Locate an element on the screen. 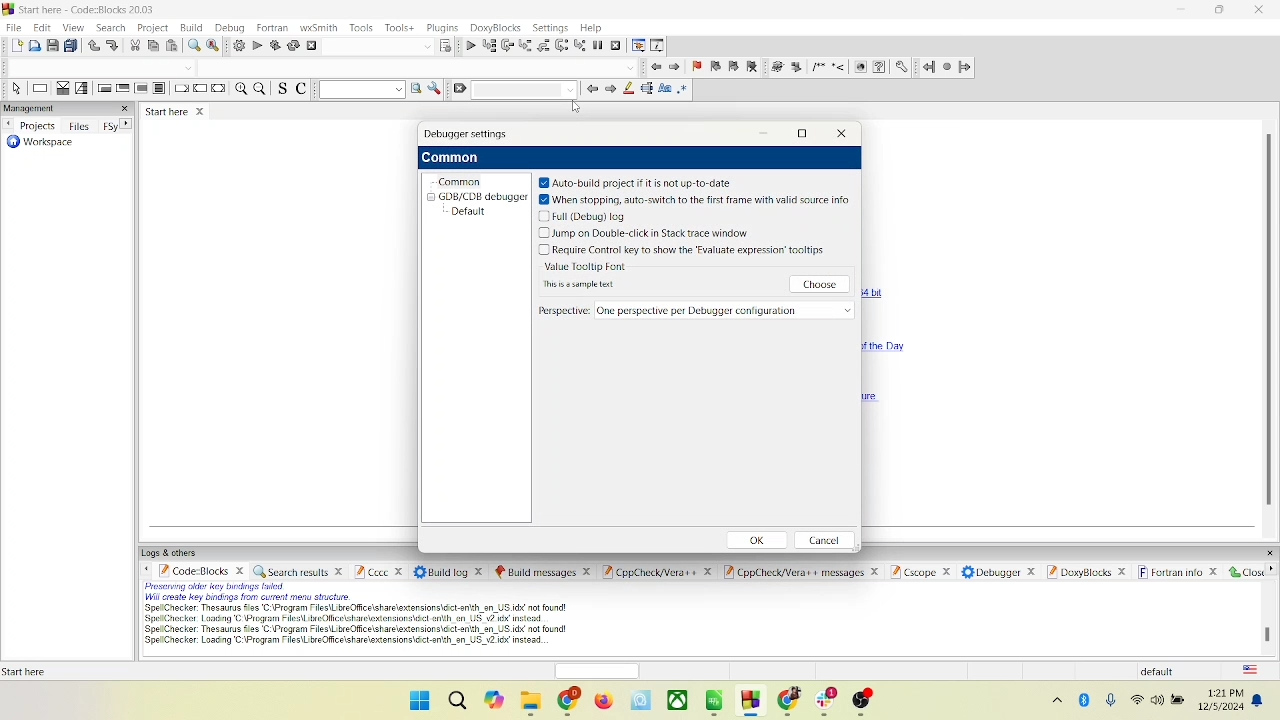  run is located at coordinates (256, 45).